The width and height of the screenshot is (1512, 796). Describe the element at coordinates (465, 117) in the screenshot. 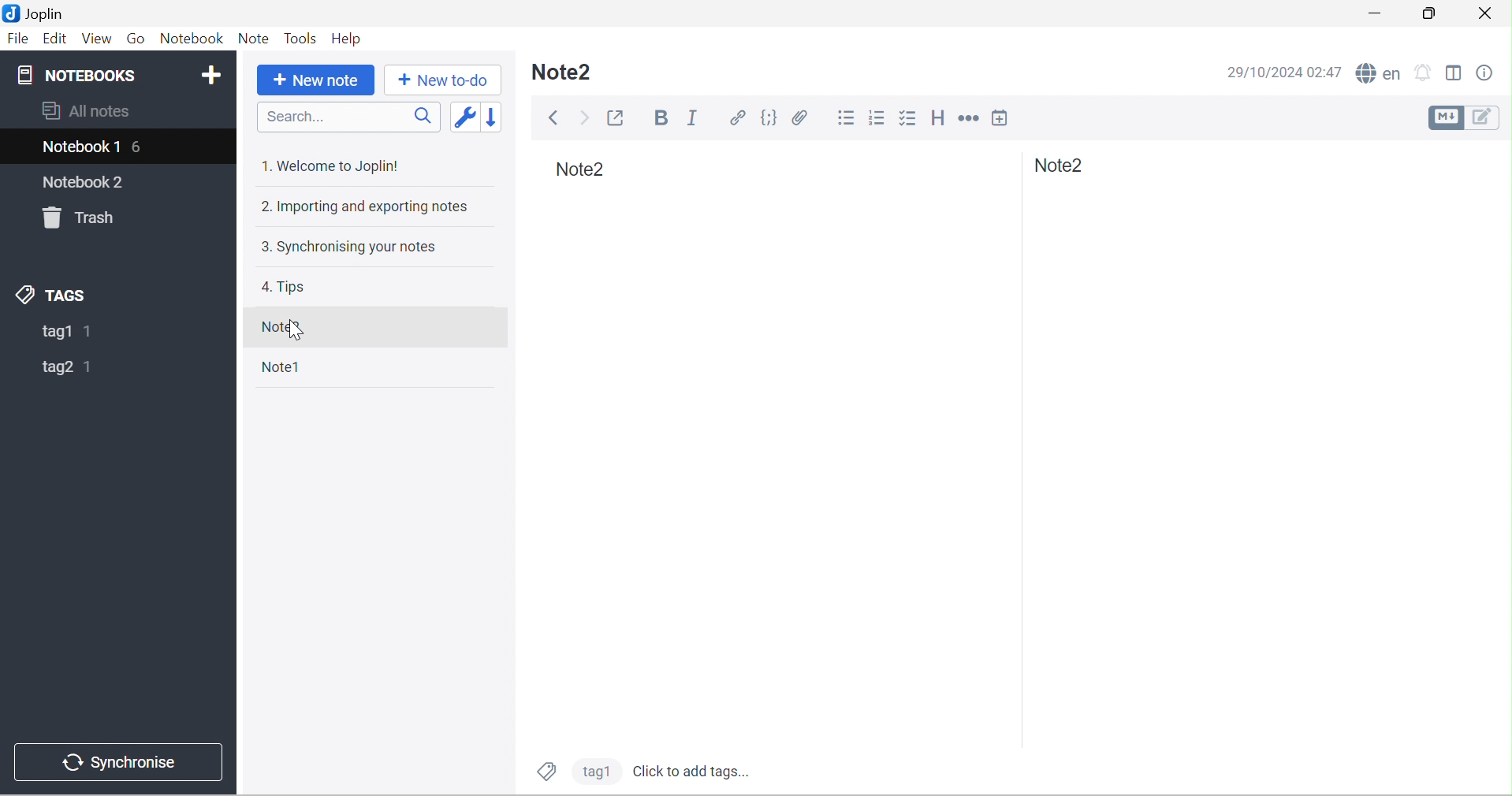

I see `Toggle sort order field: updated date -> created date` at that location.